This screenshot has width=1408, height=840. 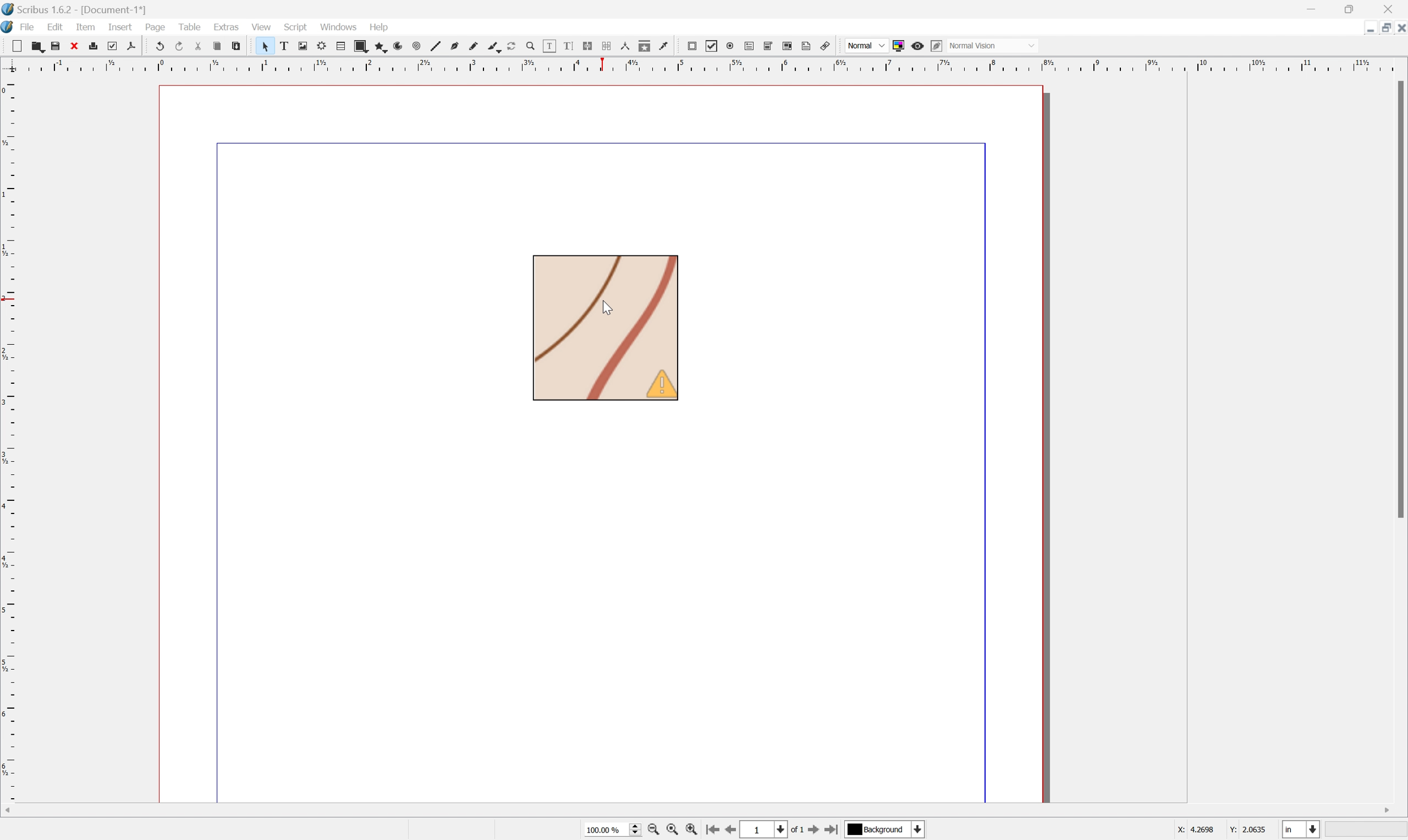 What do you see at coordinates (995, 44) in the screenshot?
I see `Normal Vision` at bounding box center [995, 44].